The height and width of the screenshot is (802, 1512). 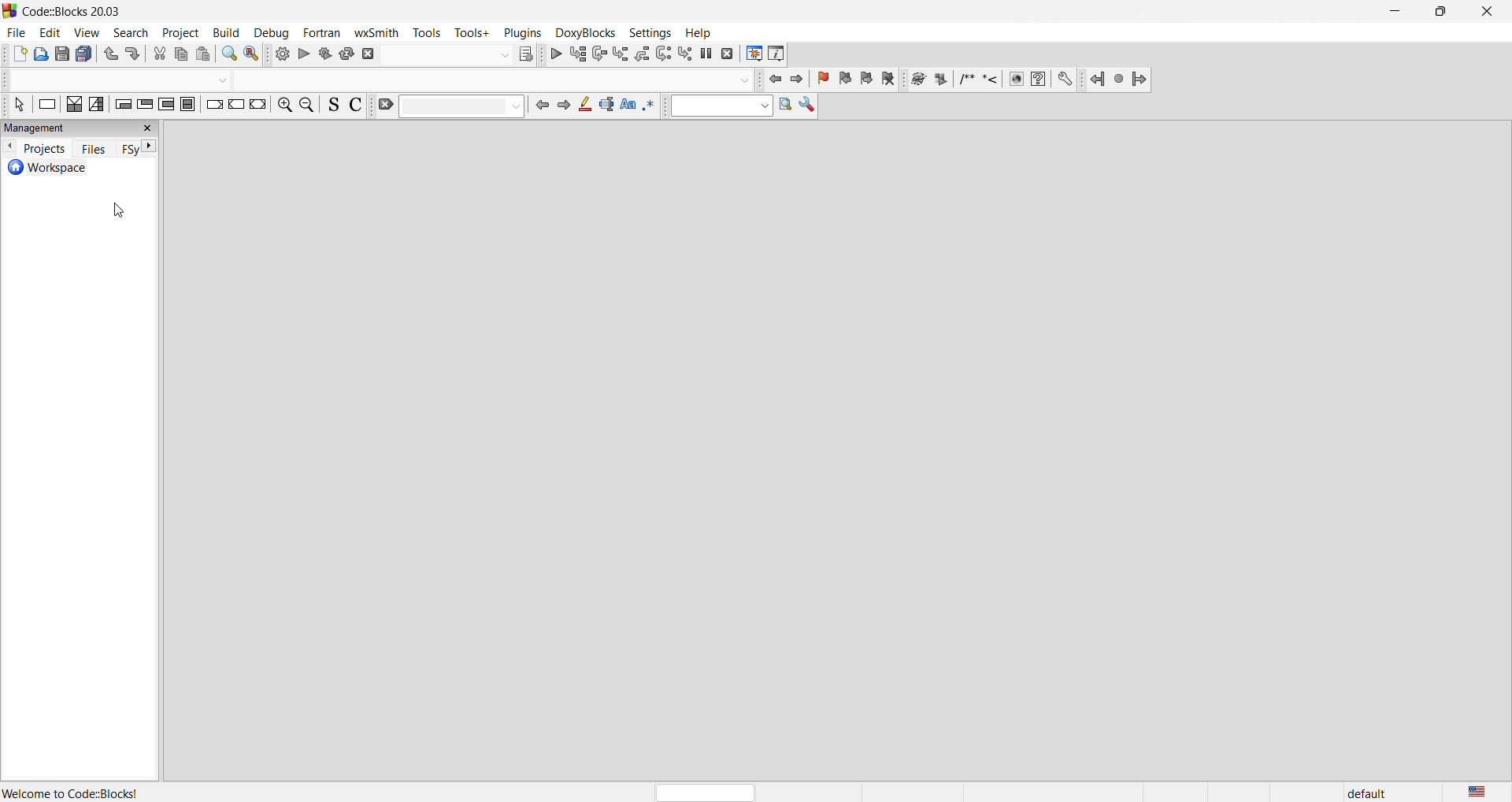 I want to click on Jump forward, so click(x=1143, y=80).